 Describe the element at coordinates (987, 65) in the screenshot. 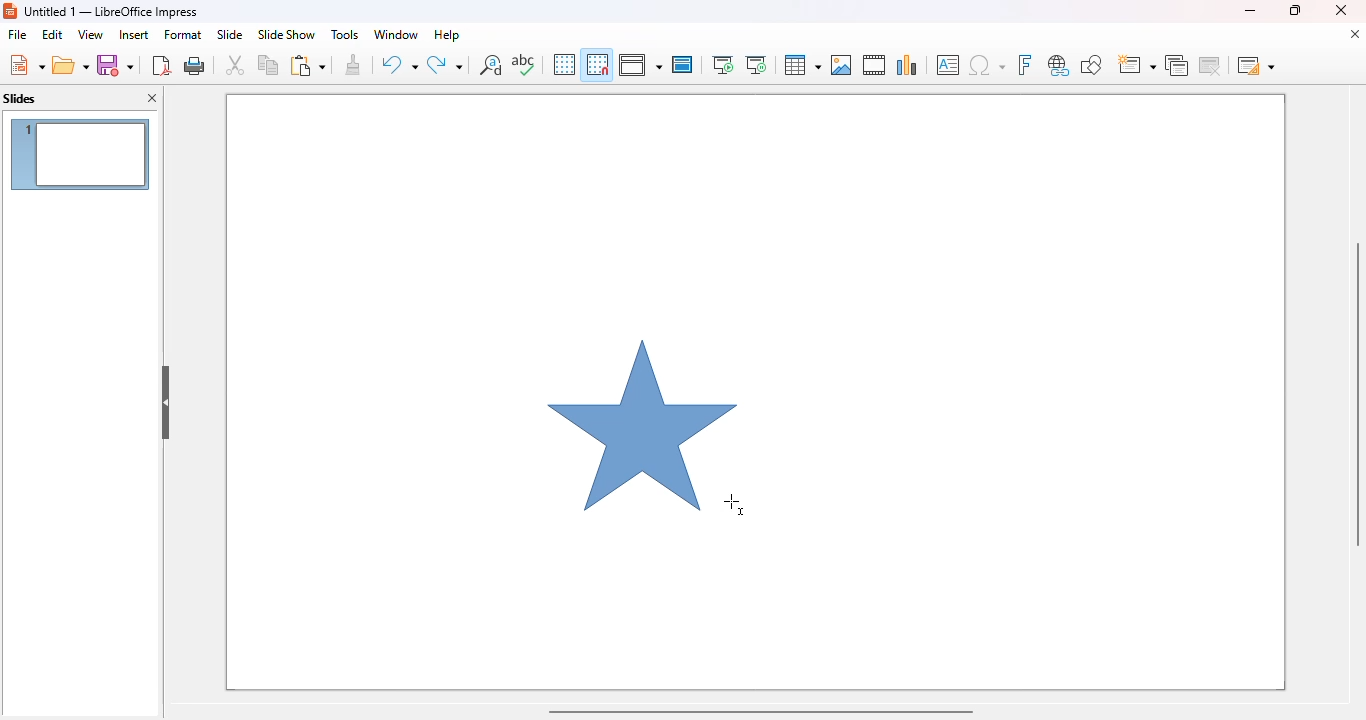

I see `insert special characters` at that location.